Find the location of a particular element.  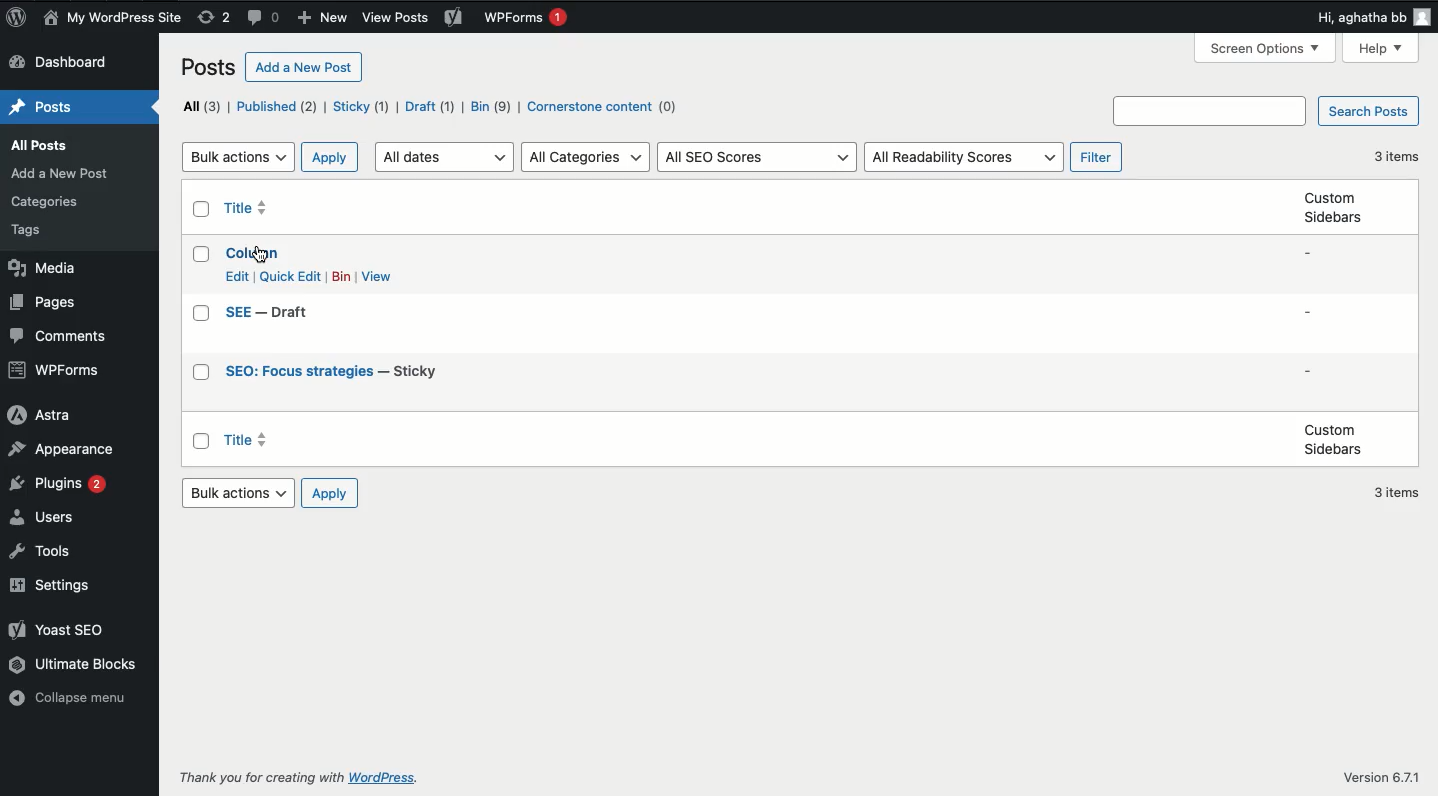

Tools is located at coordinates (42, 550).